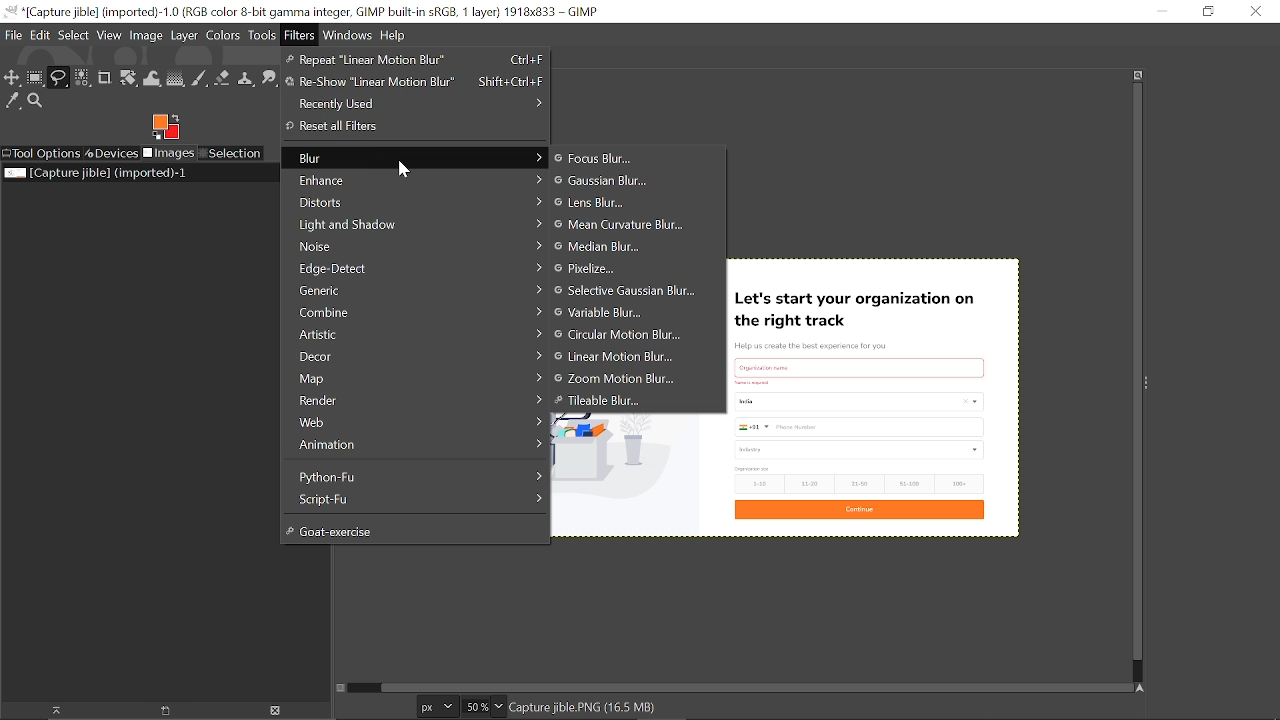  What do you see at coordinates (146, 34) in the screenshot?
I see `Image` at bounding box center [146, 34].